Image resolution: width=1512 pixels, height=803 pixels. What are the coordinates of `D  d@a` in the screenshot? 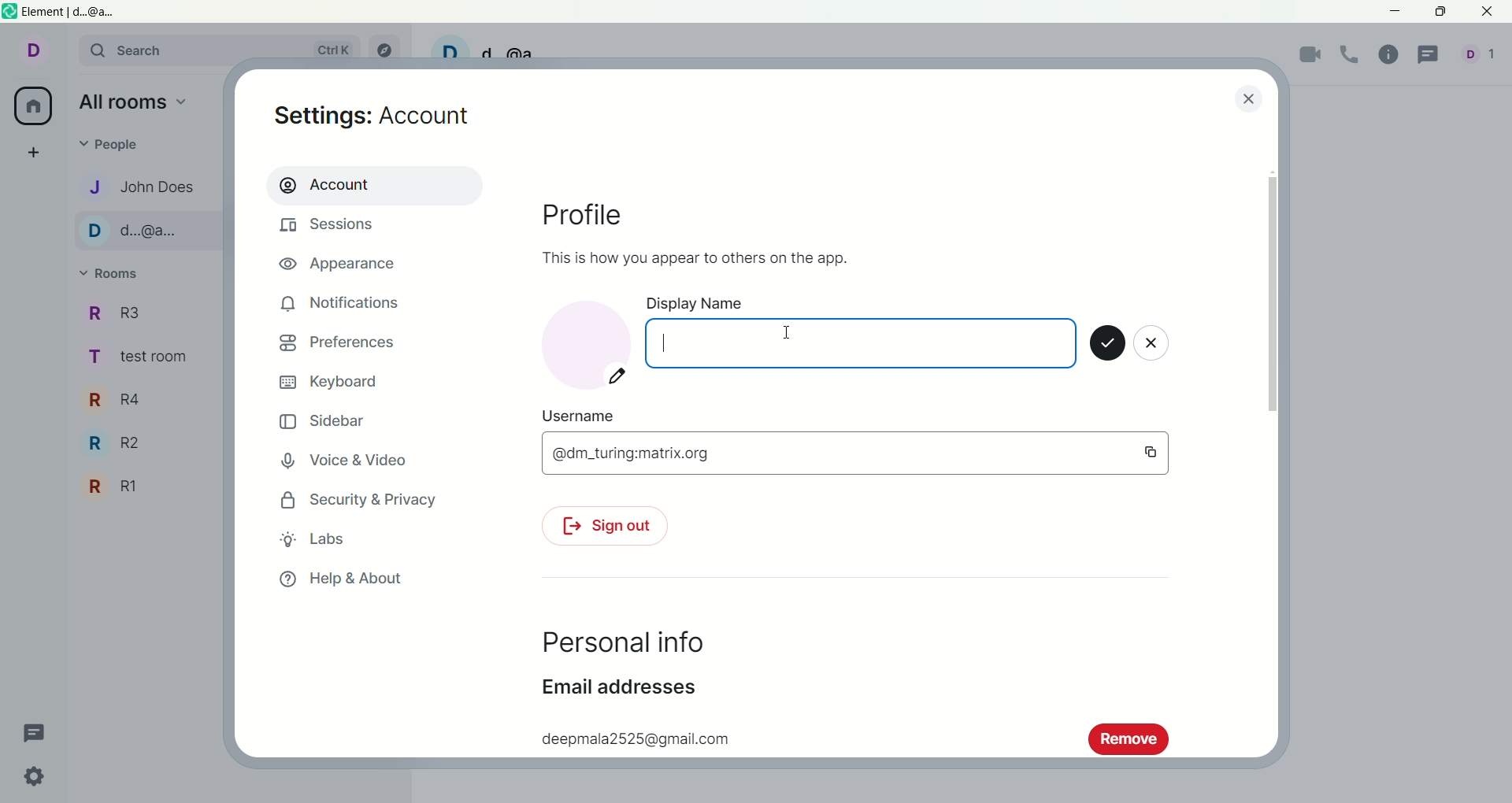 It's located at (495, 44).